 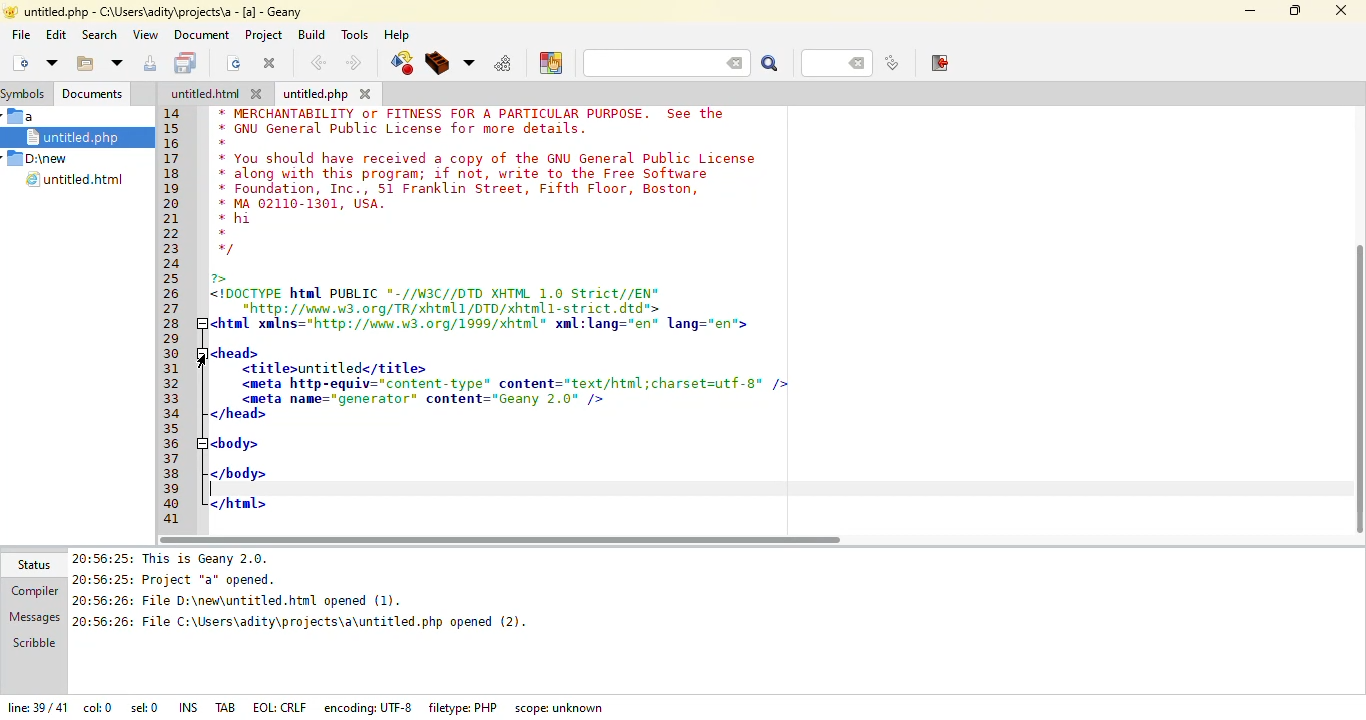 I want to click on horizontal scroll bar, so click(x=505, y=539).